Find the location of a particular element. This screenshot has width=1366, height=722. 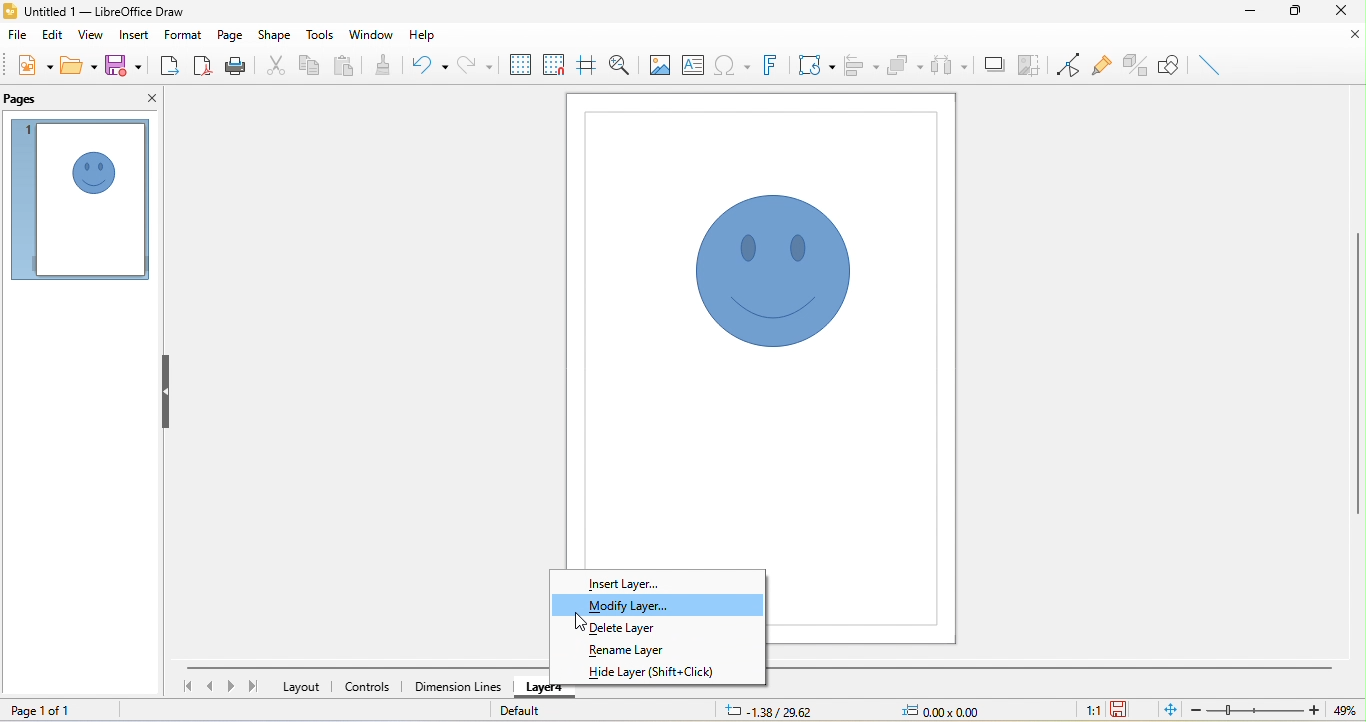

hide layer is located at coordinates (654, 673).